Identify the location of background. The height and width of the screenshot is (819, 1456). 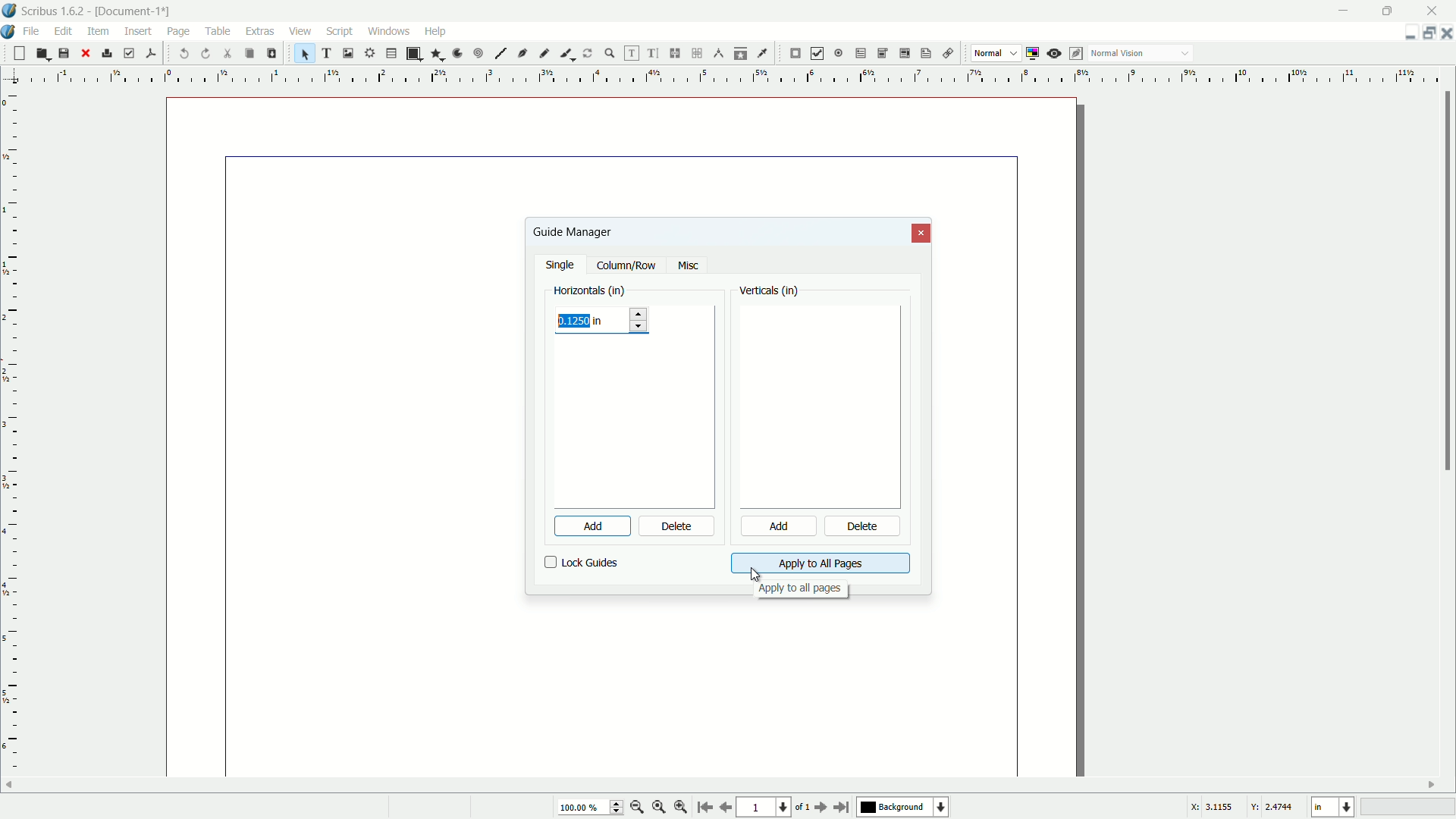
(905, 808).